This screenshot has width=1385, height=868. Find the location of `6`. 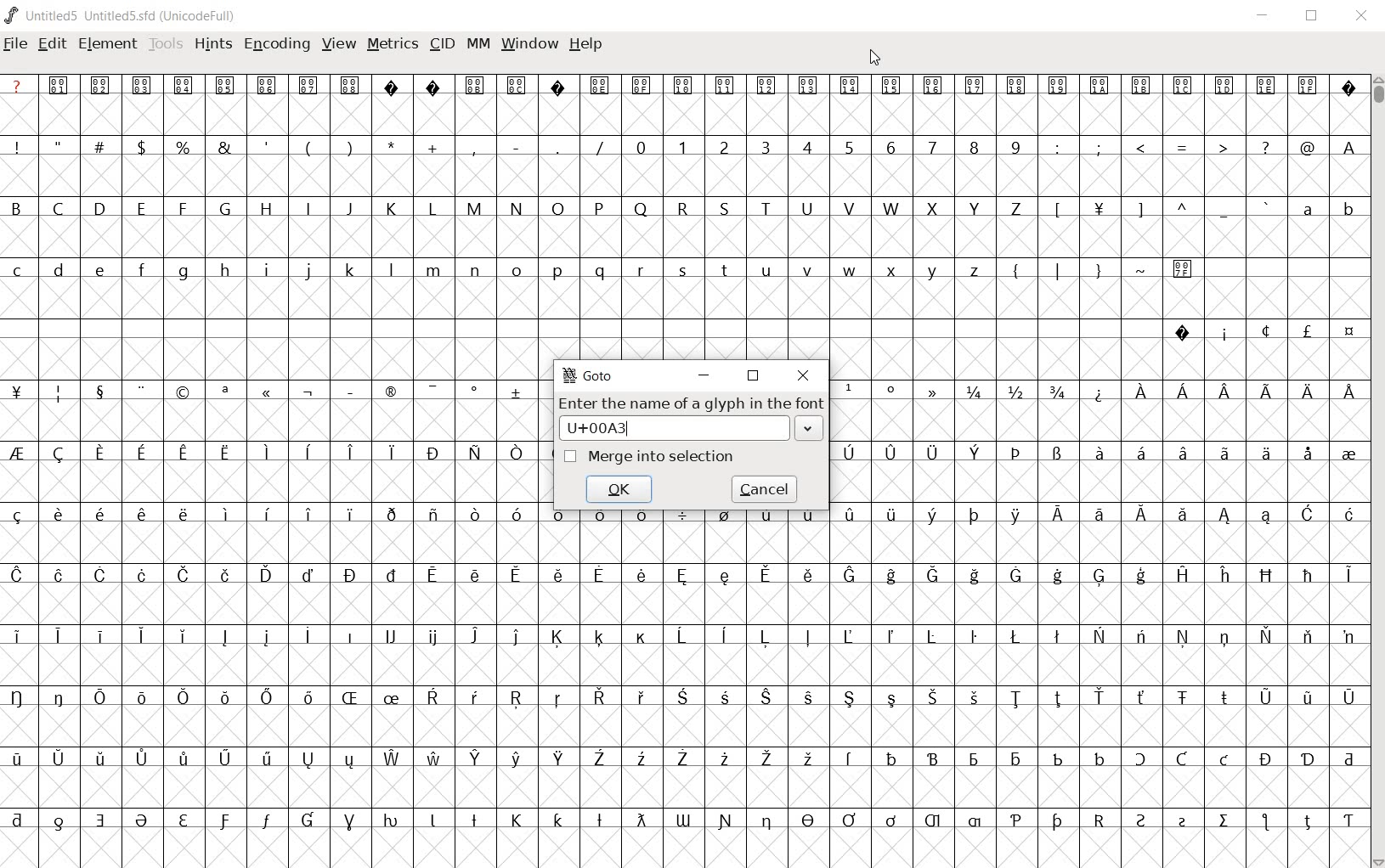

6 is located at coordinates (890, 147).